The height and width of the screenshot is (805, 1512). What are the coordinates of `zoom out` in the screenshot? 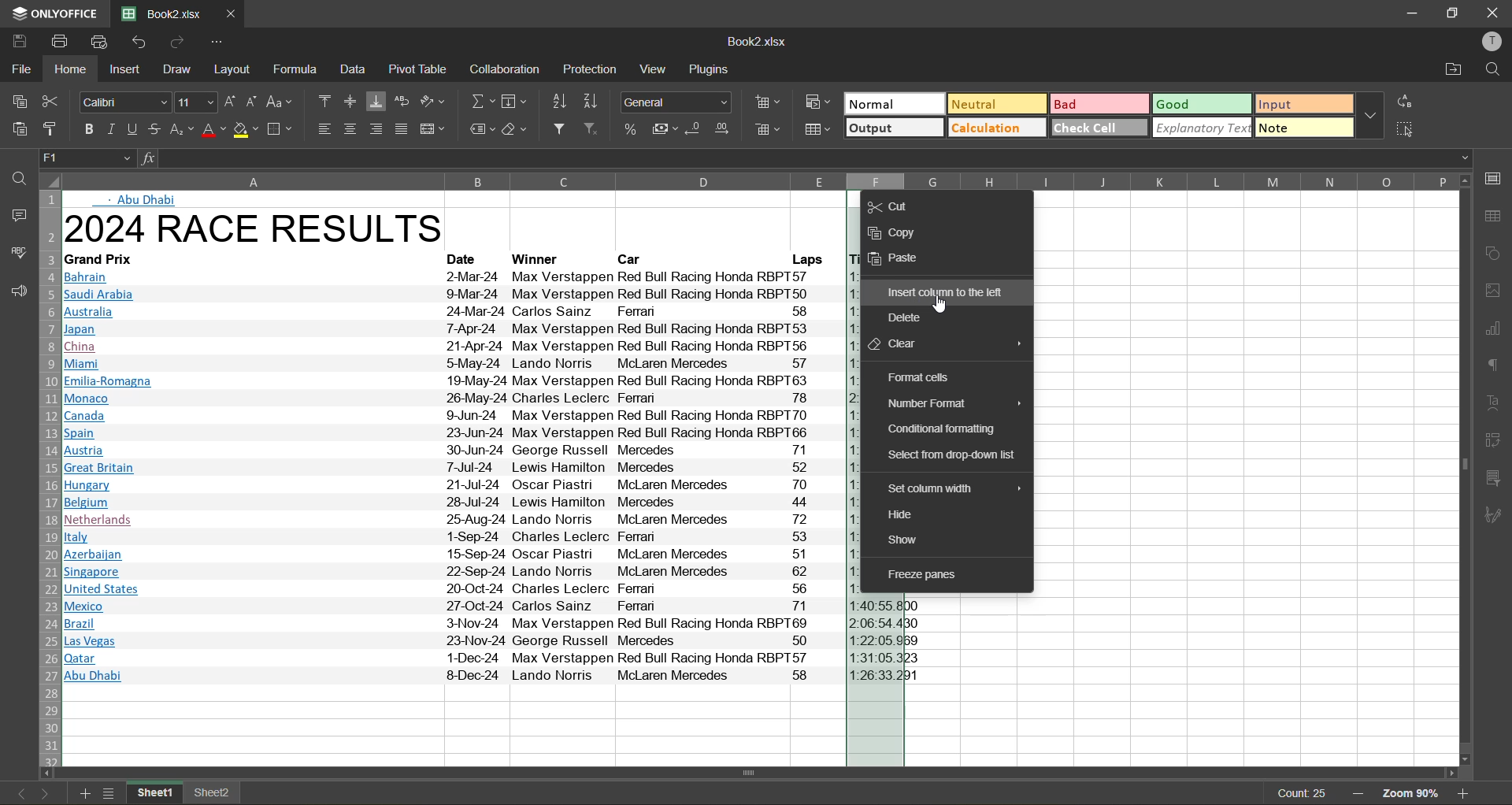 It's located at (1360, 793).